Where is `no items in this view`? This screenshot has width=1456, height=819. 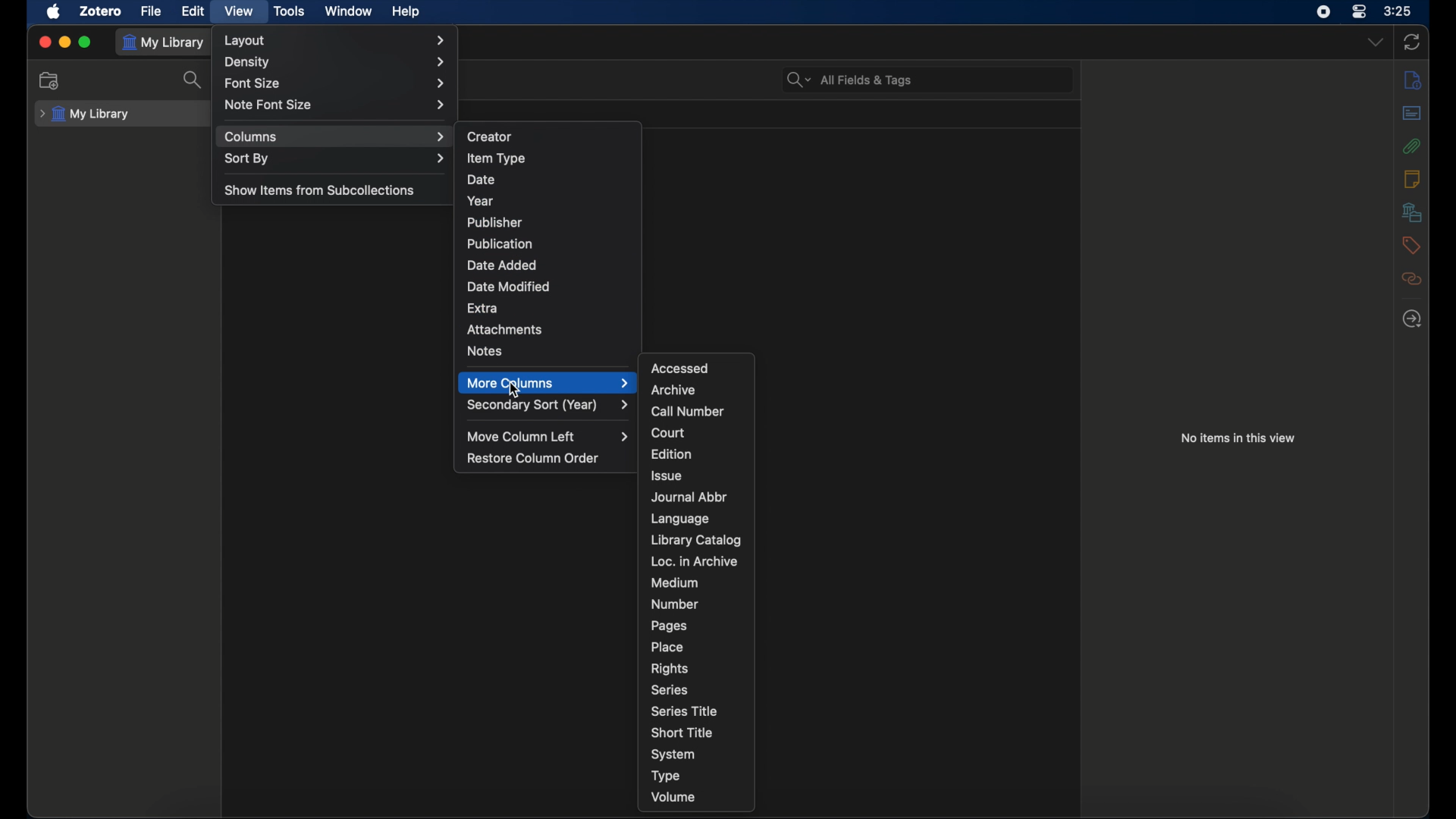
no items in this view is located at coordinates (1238, 437).